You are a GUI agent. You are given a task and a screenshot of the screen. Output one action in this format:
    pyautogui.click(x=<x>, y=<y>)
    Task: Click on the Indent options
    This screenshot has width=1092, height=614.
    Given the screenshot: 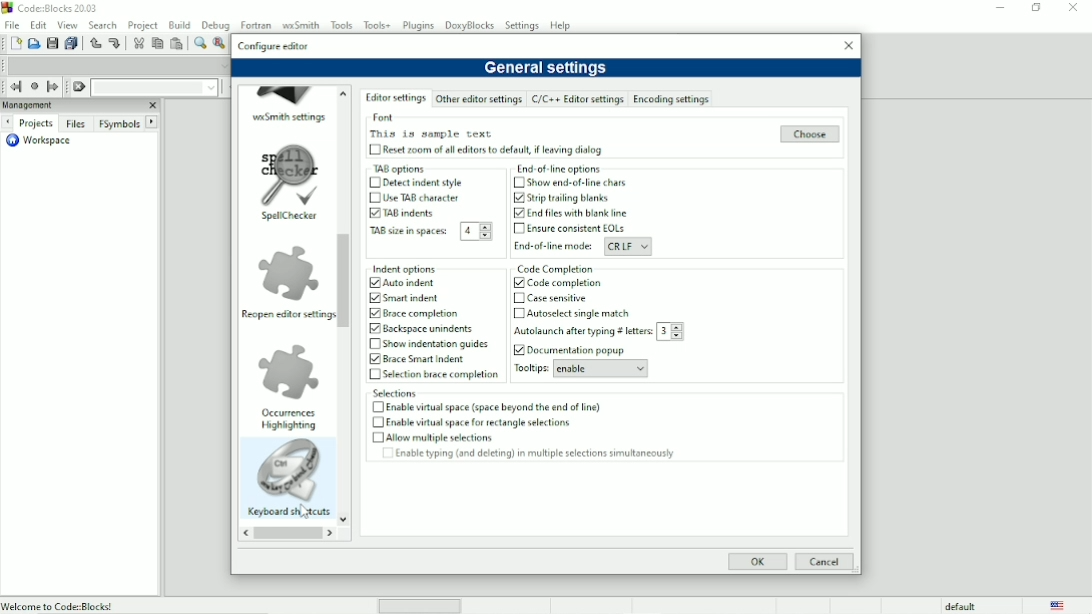 What is the action you would take?
    pyautogui.click(x=425, y=268)
    